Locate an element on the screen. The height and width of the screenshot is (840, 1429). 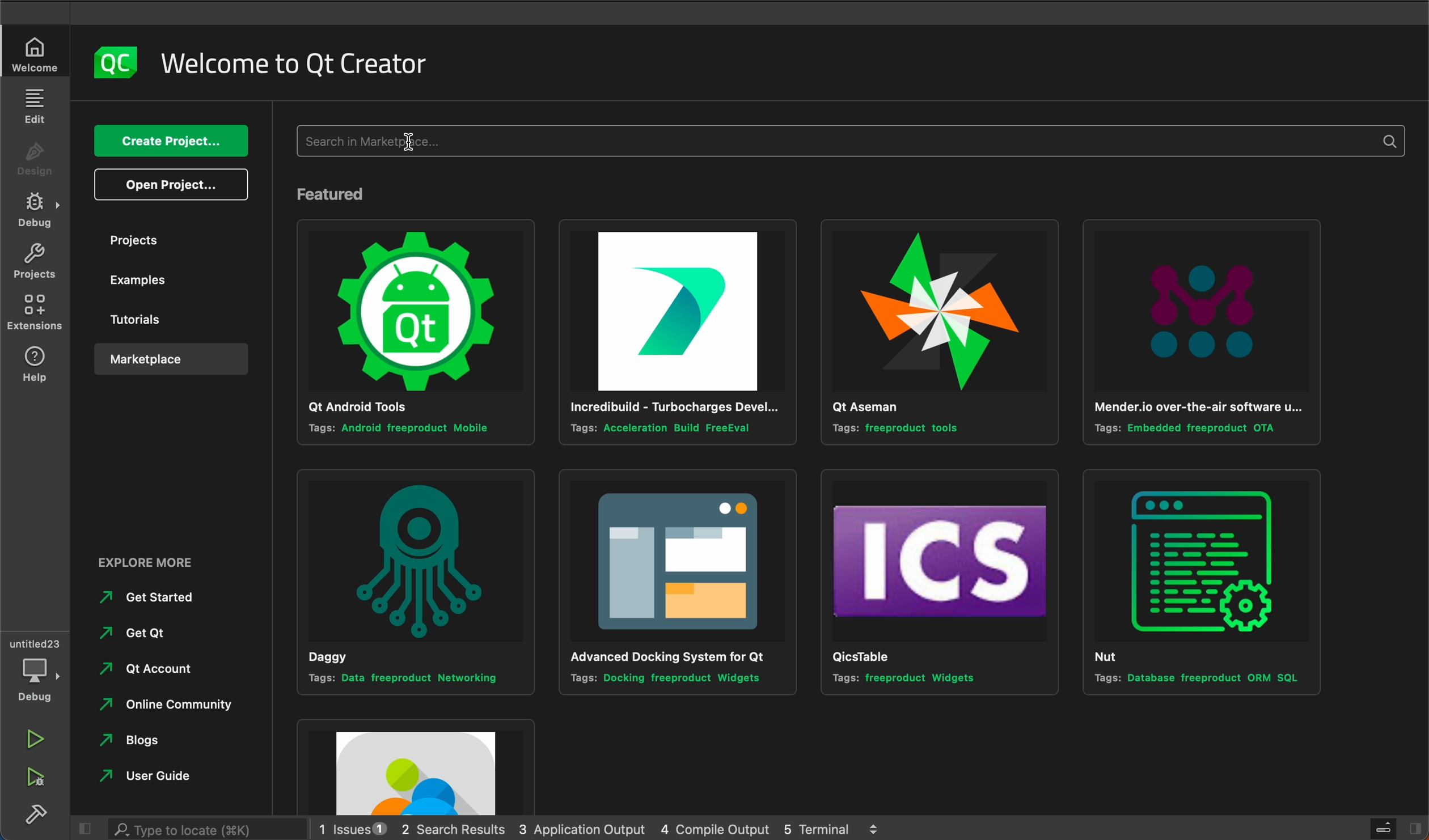
 is located at coordinates (417, 765).